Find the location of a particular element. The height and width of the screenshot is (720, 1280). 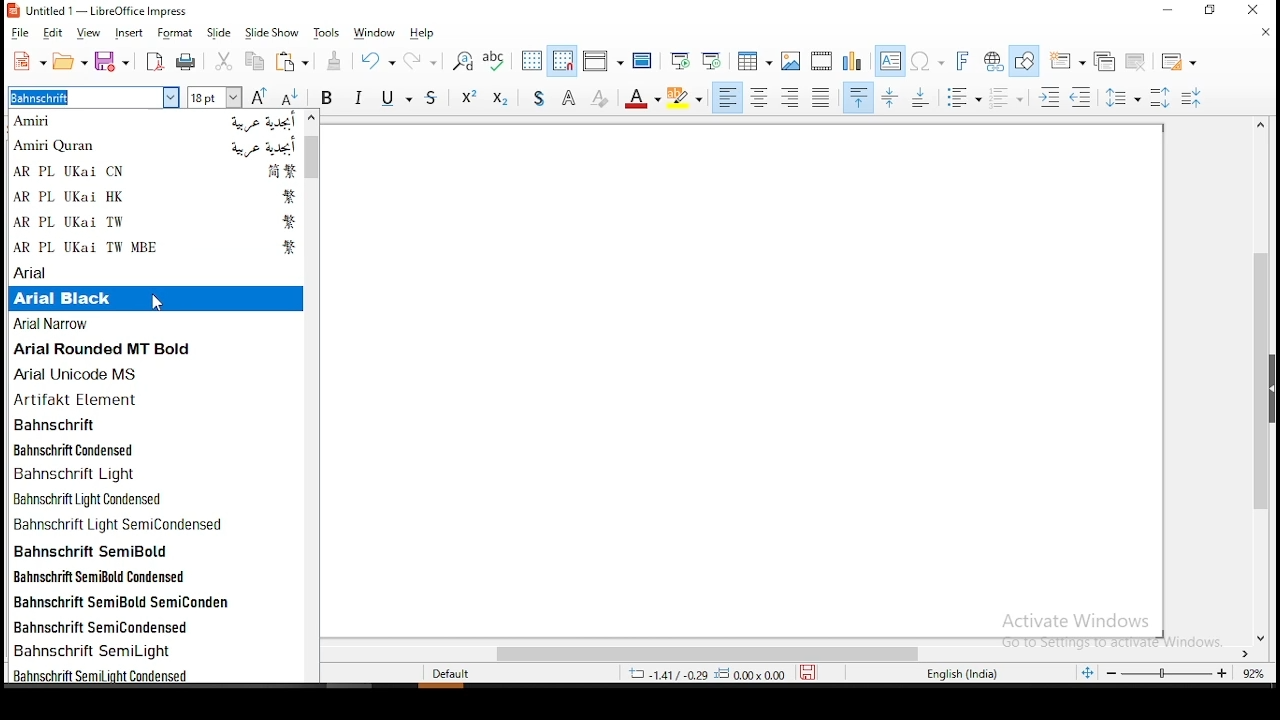

decrease paragraph spacing is located at coordinates (1008, 98).